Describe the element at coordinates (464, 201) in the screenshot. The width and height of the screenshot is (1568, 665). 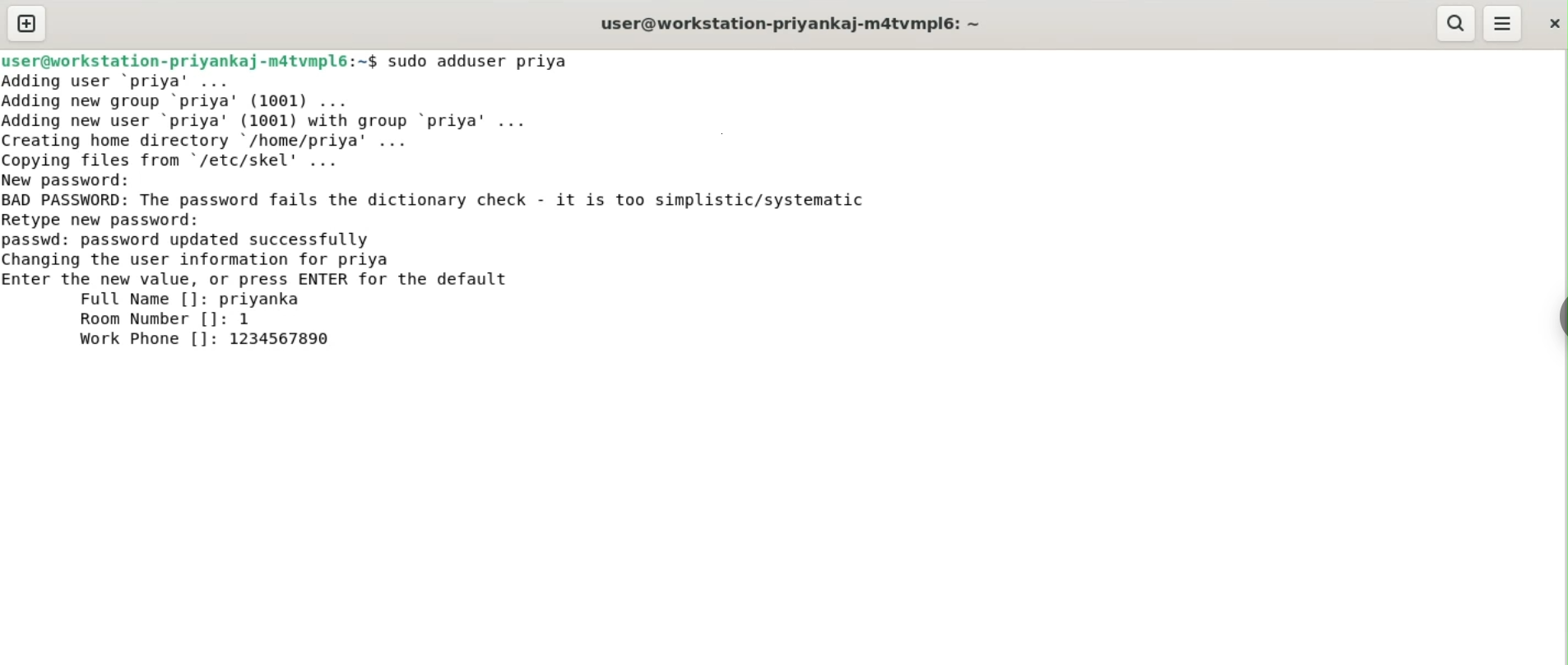
I see `BAD PASSWORD: The password fails the dictionary check. it is too simplistic/systematic` at that location.